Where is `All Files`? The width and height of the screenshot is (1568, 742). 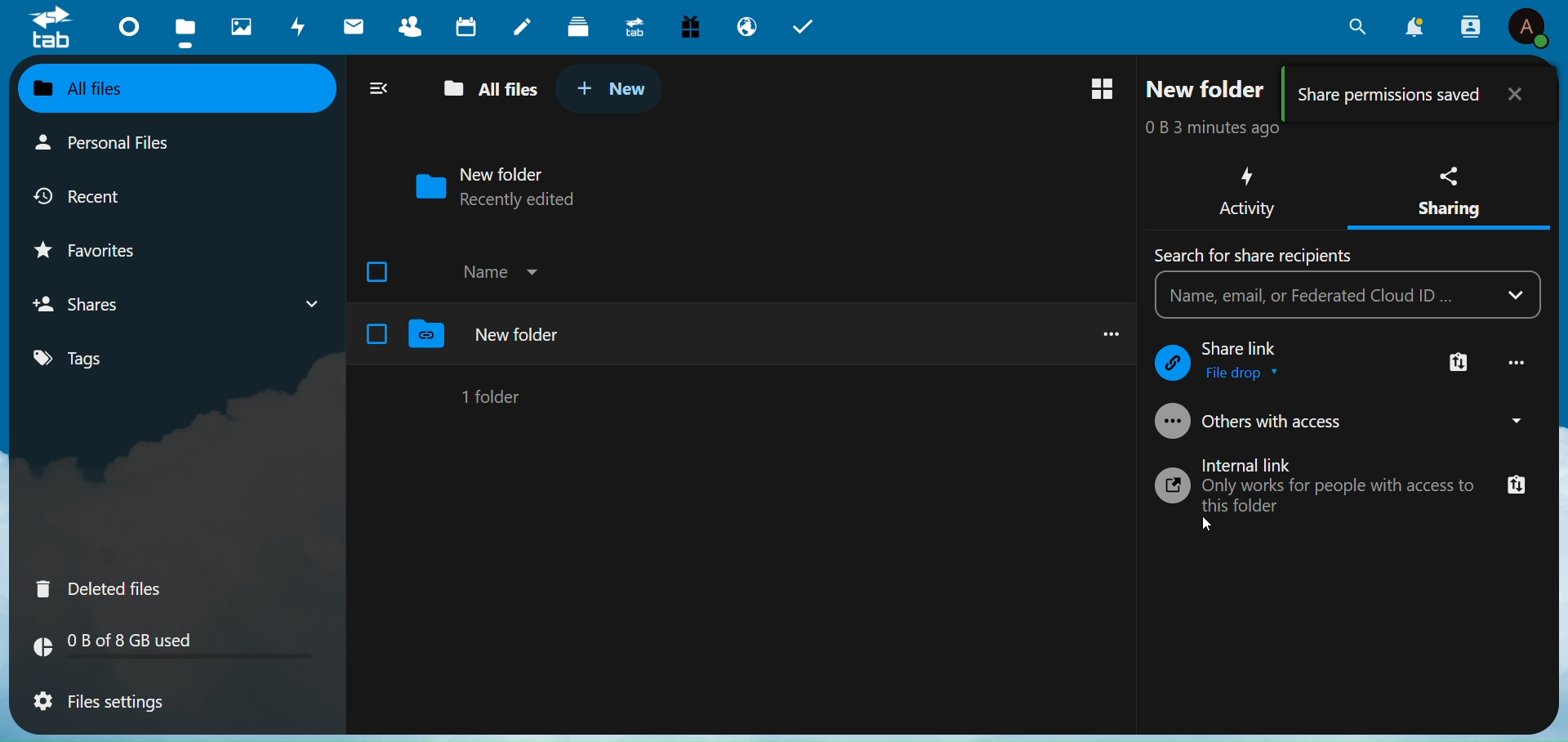
All Files is located at coordinates (485, 90).